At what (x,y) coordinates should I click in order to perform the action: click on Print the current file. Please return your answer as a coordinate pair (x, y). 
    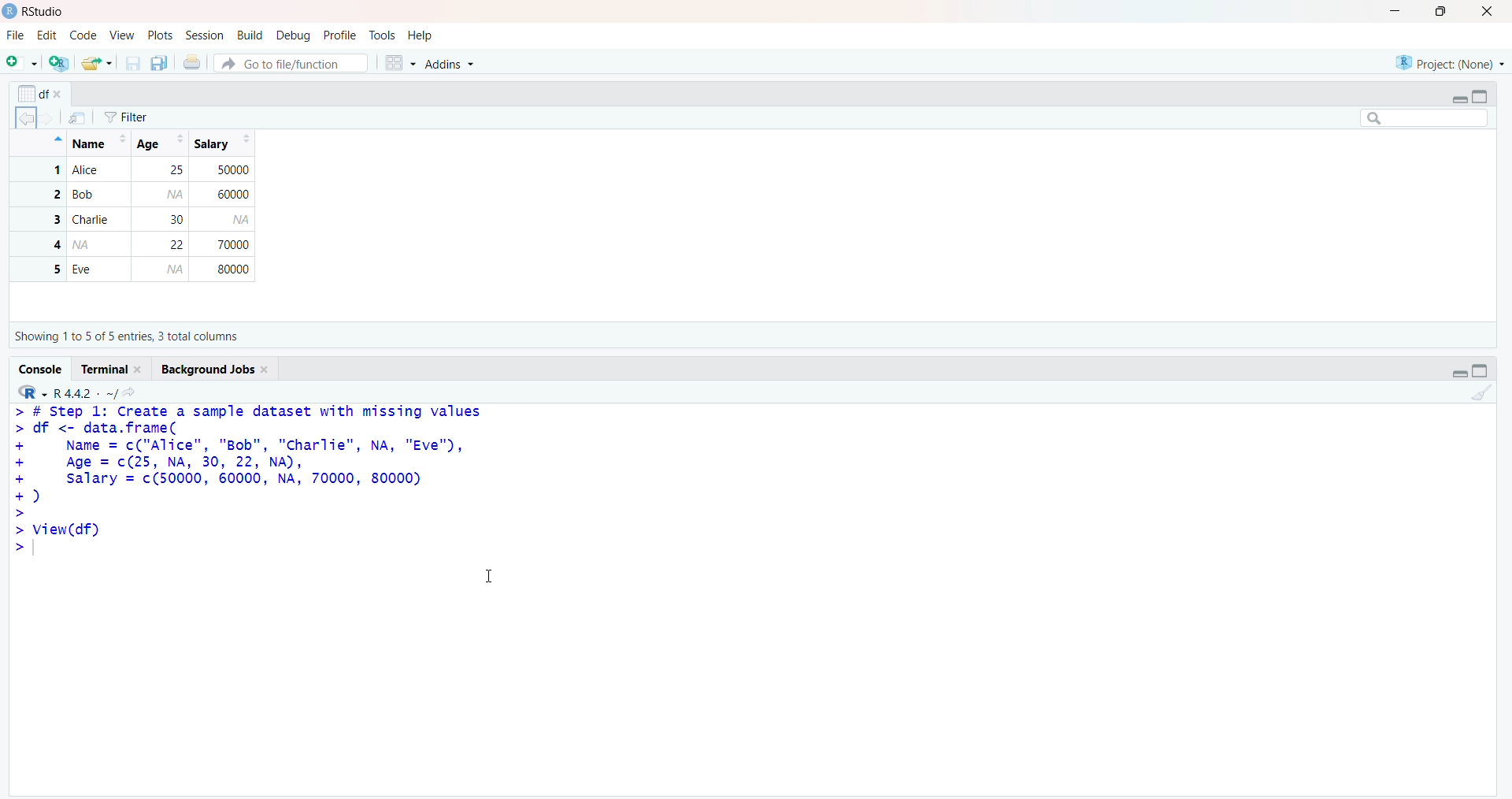
    Looking at the image, I should click on (194, 61).